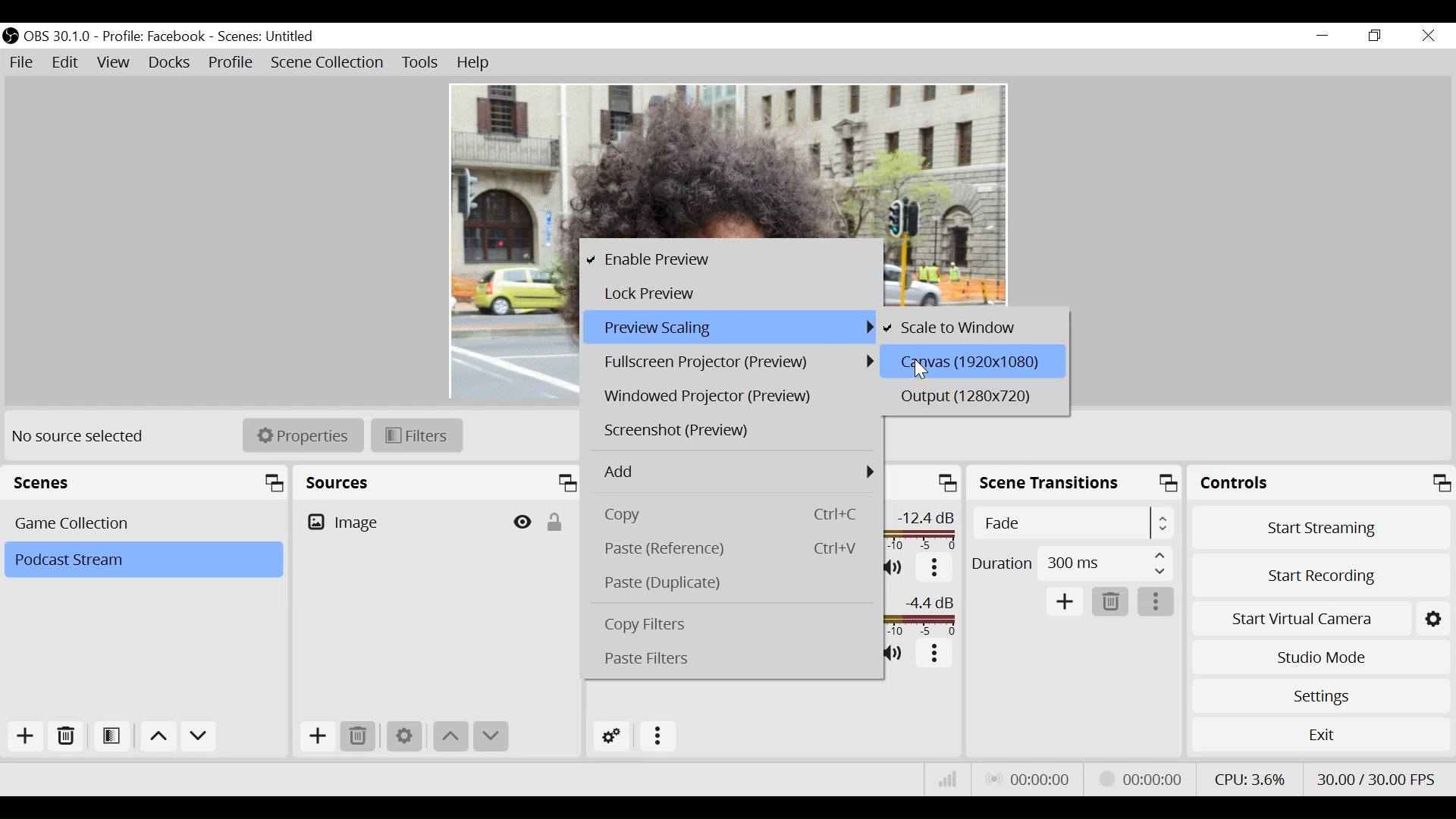  Describe the element at coordinates (24, 64) in the screenshot. I see `File` at that location.